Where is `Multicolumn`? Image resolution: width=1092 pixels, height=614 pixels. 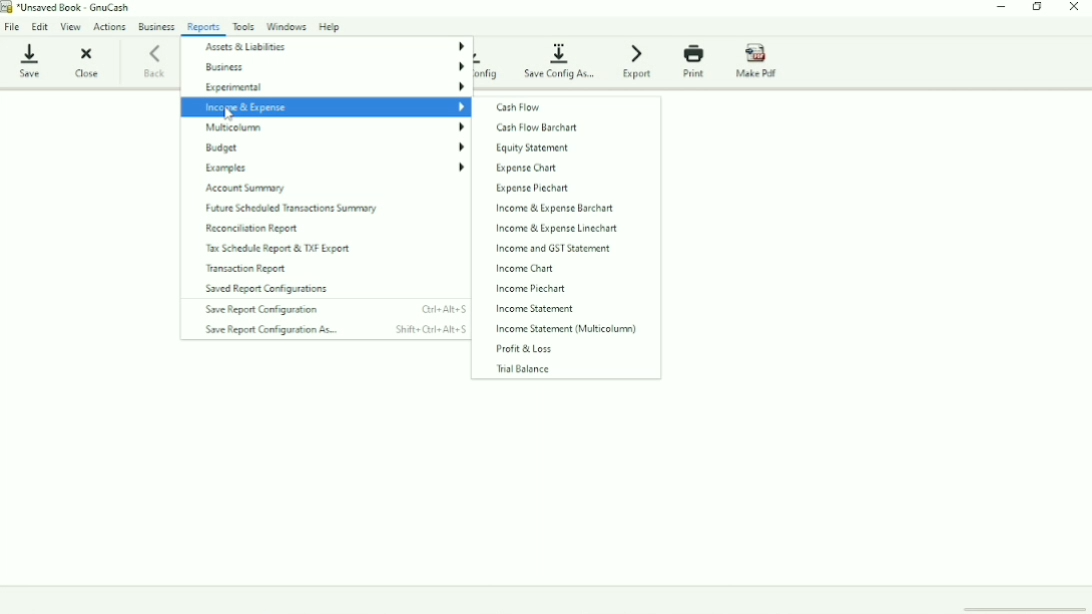
Multicolumn is located at coordinates (334, 126).